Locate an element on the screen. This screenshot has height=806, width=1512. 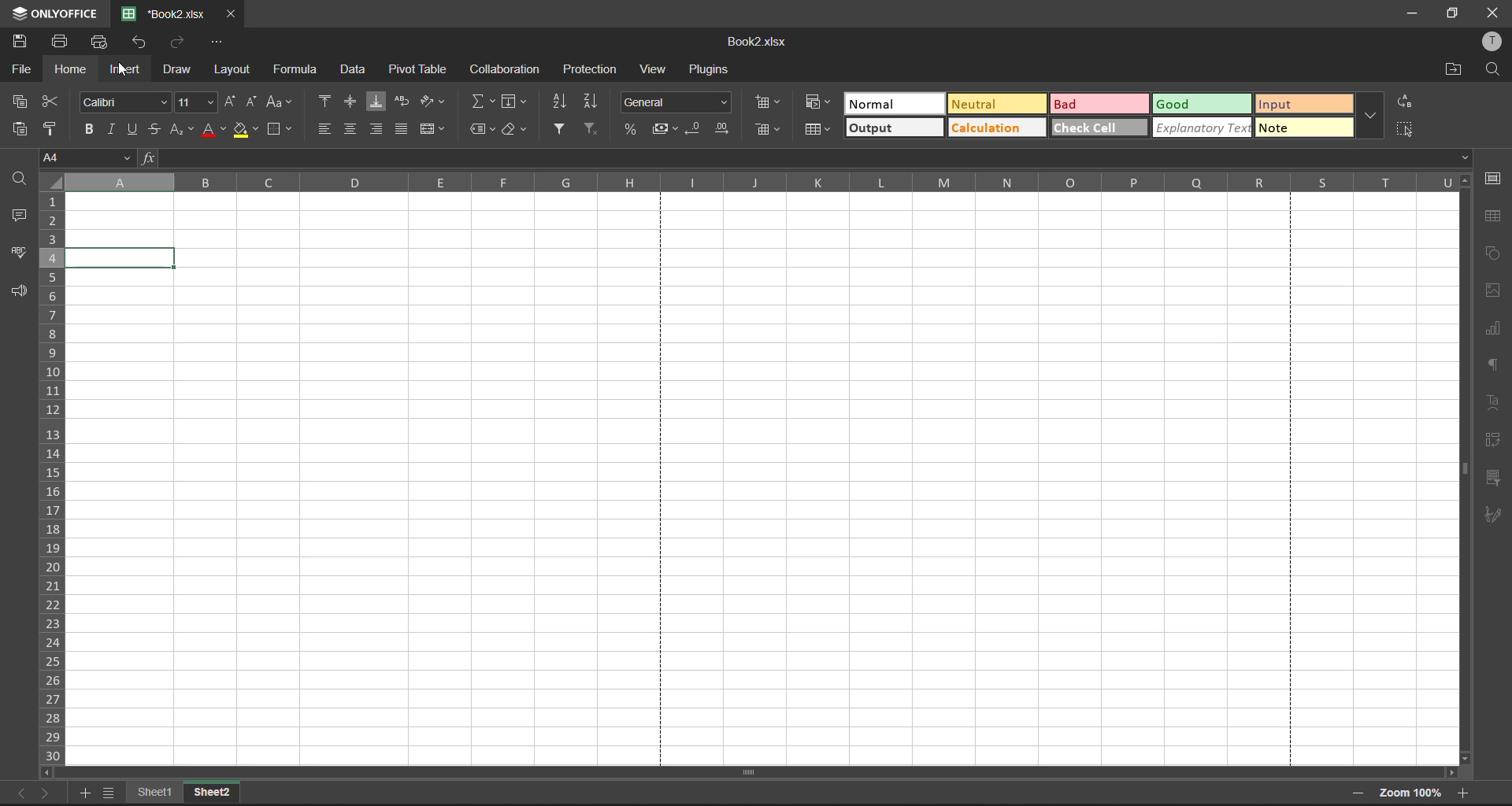
next is located at coordinates (46, 793).